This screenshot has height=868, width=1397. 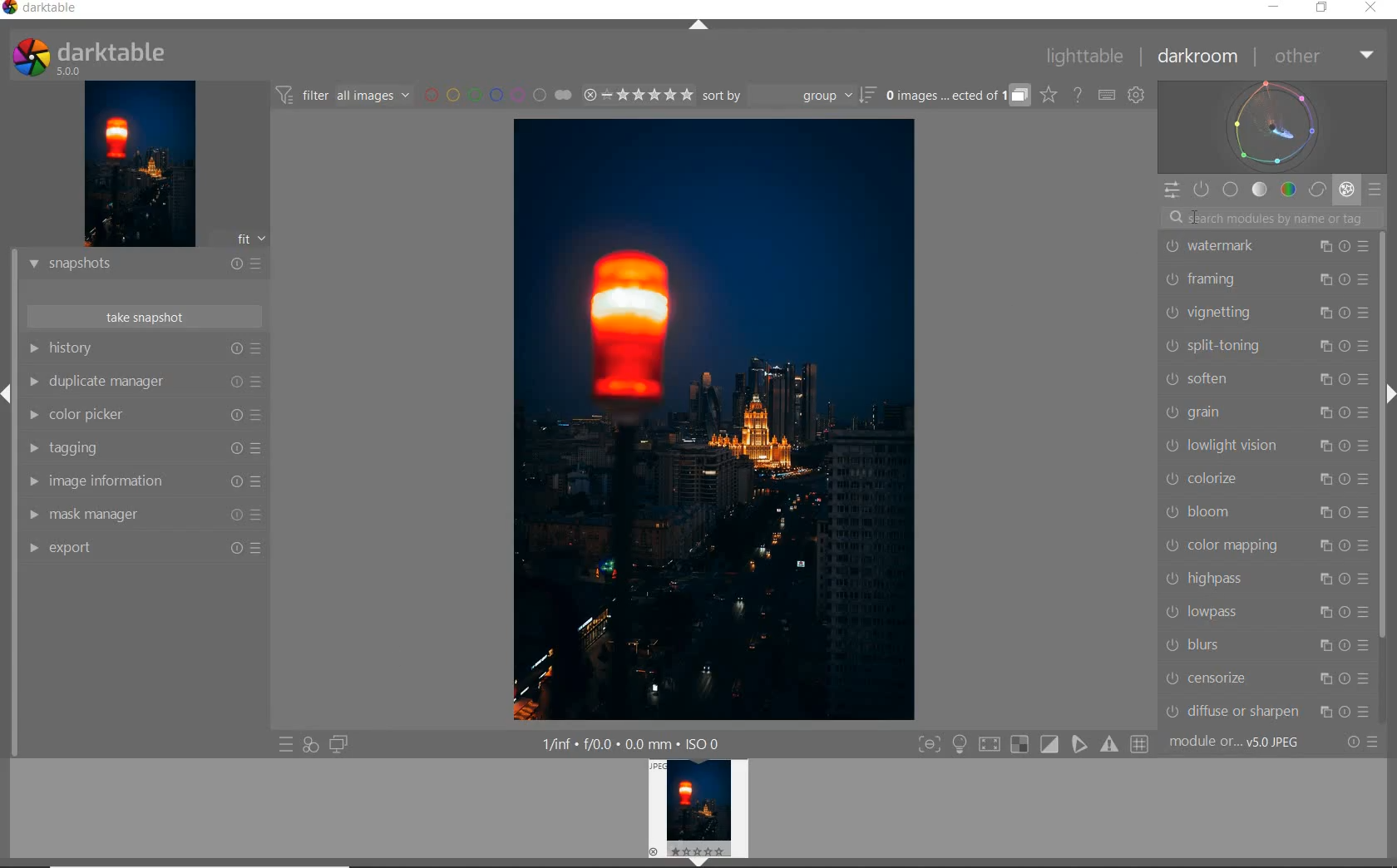 I want to click on HIGHPASS, so click(x=1217, y=577).